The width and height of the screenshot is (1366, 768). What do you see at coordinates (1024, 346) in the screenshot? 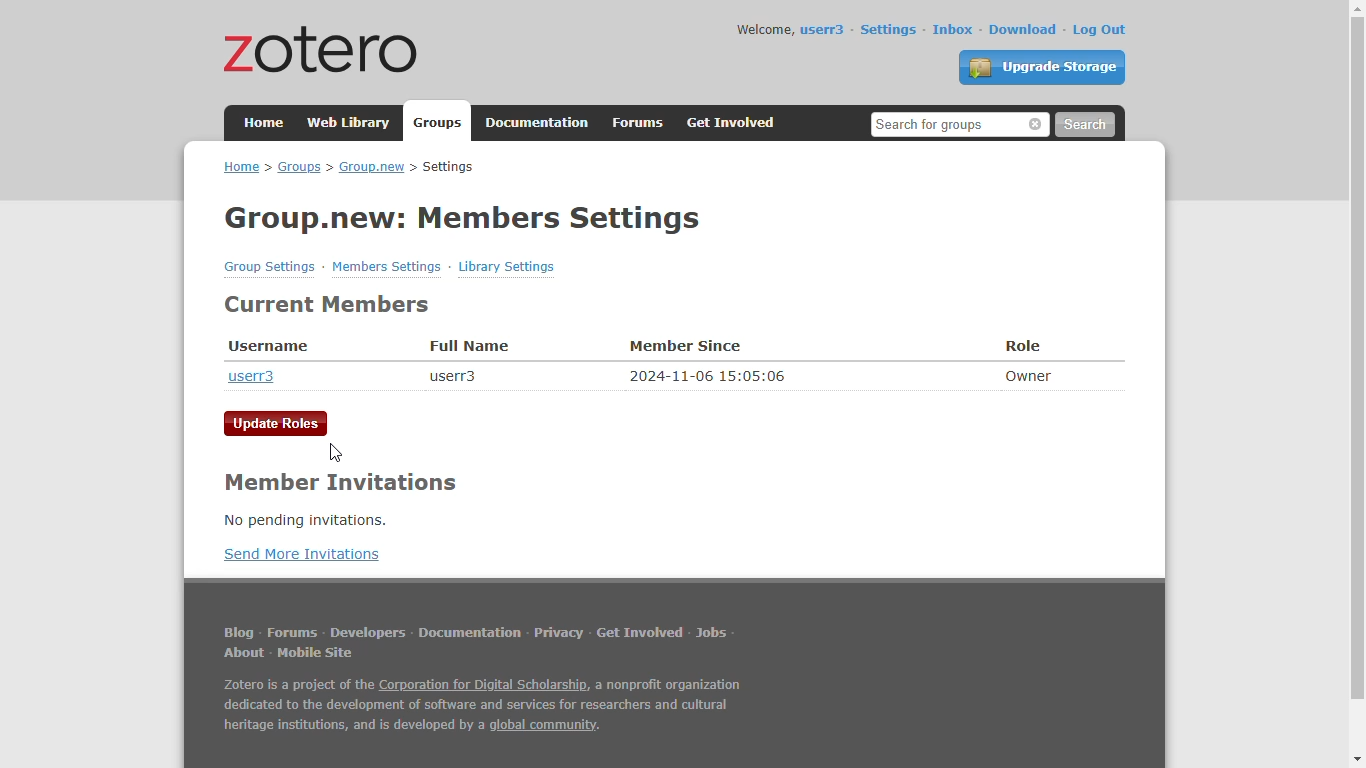
I see `role` at bounding box center [1024, 346].